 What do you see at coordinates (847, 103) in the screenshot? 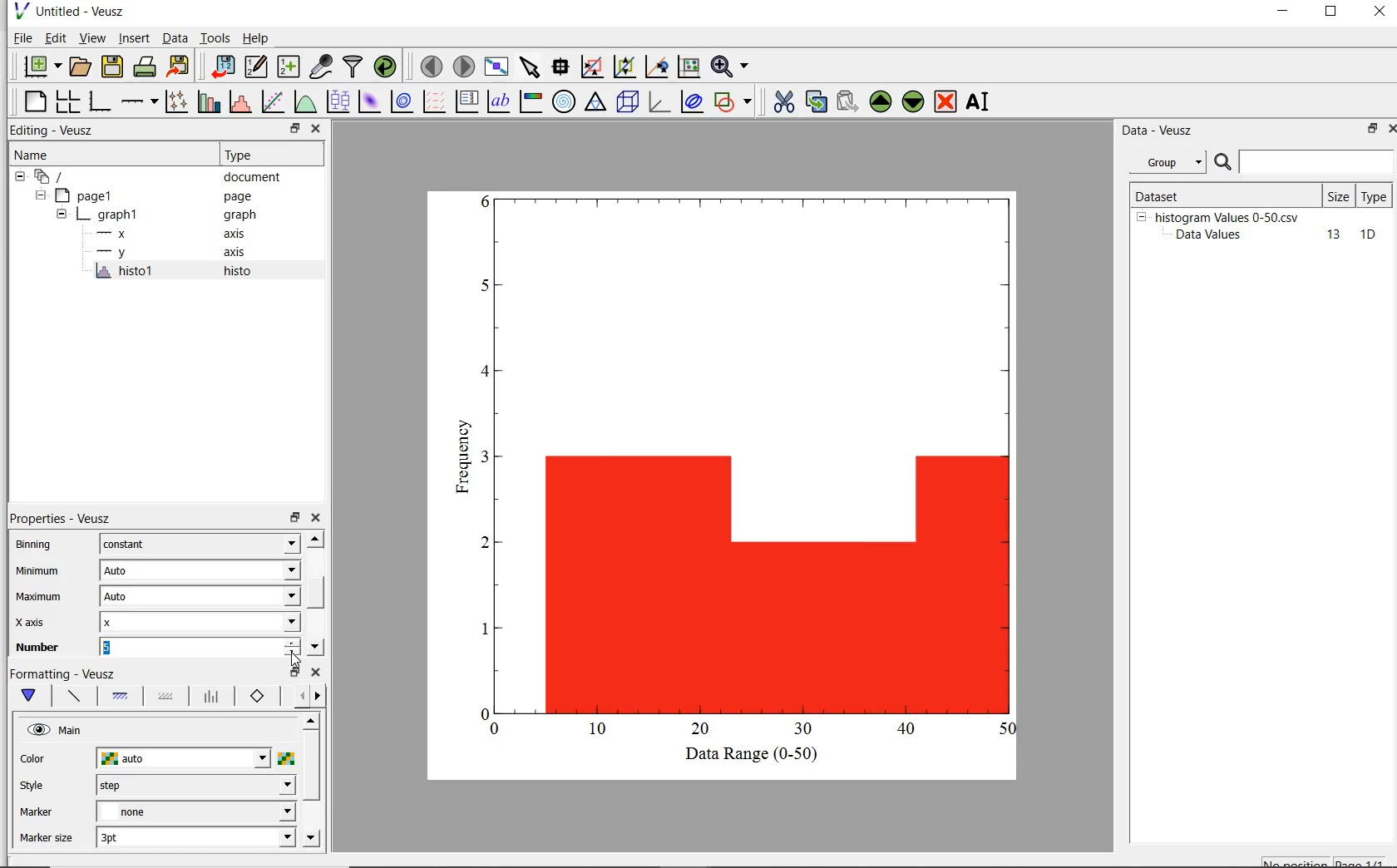
I see `paste the selected widget` at bounding box center [847, 103].